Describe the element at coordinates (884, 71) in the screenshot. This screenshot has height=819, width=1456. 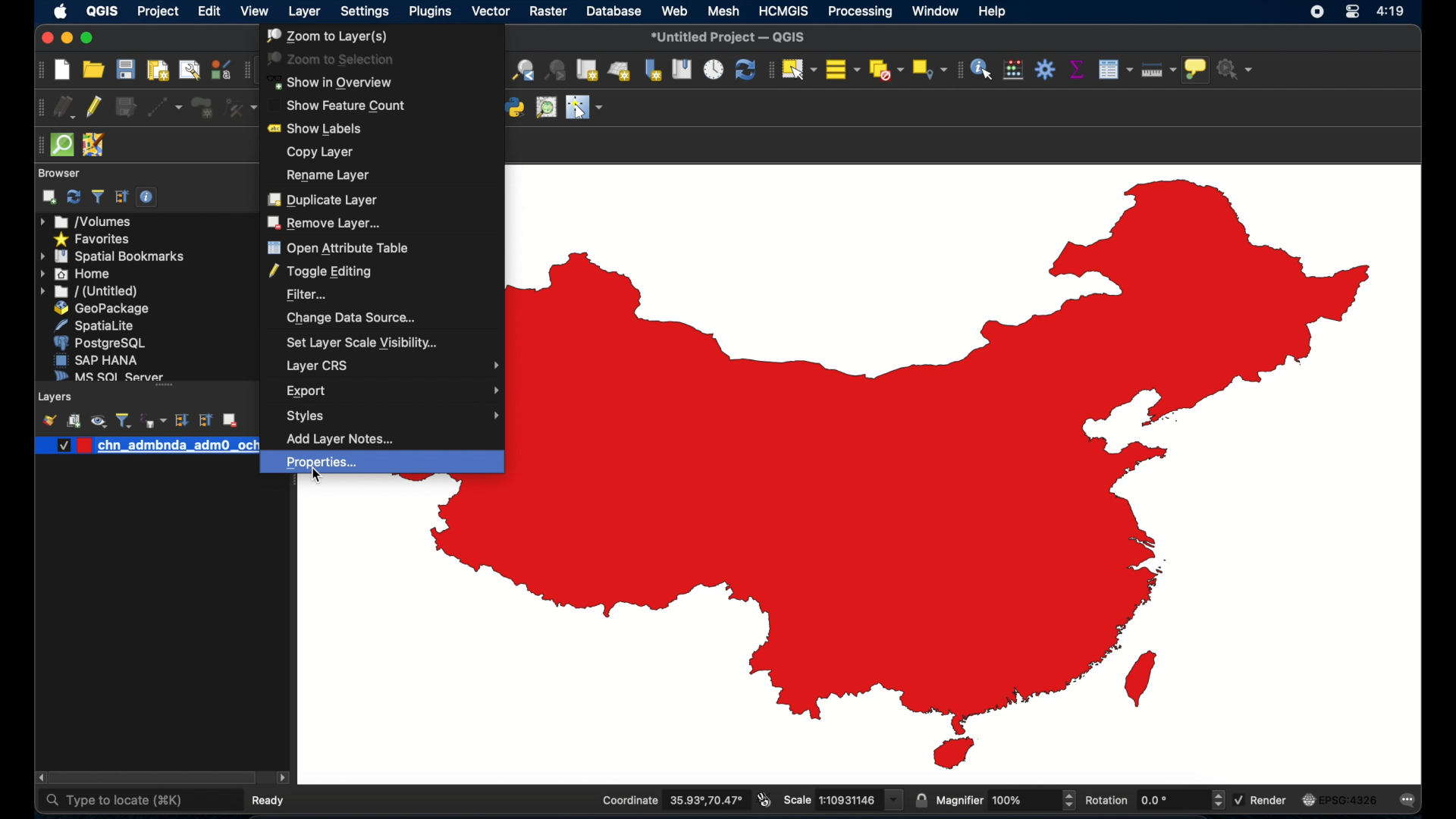
I see `deselect all features` at that location.